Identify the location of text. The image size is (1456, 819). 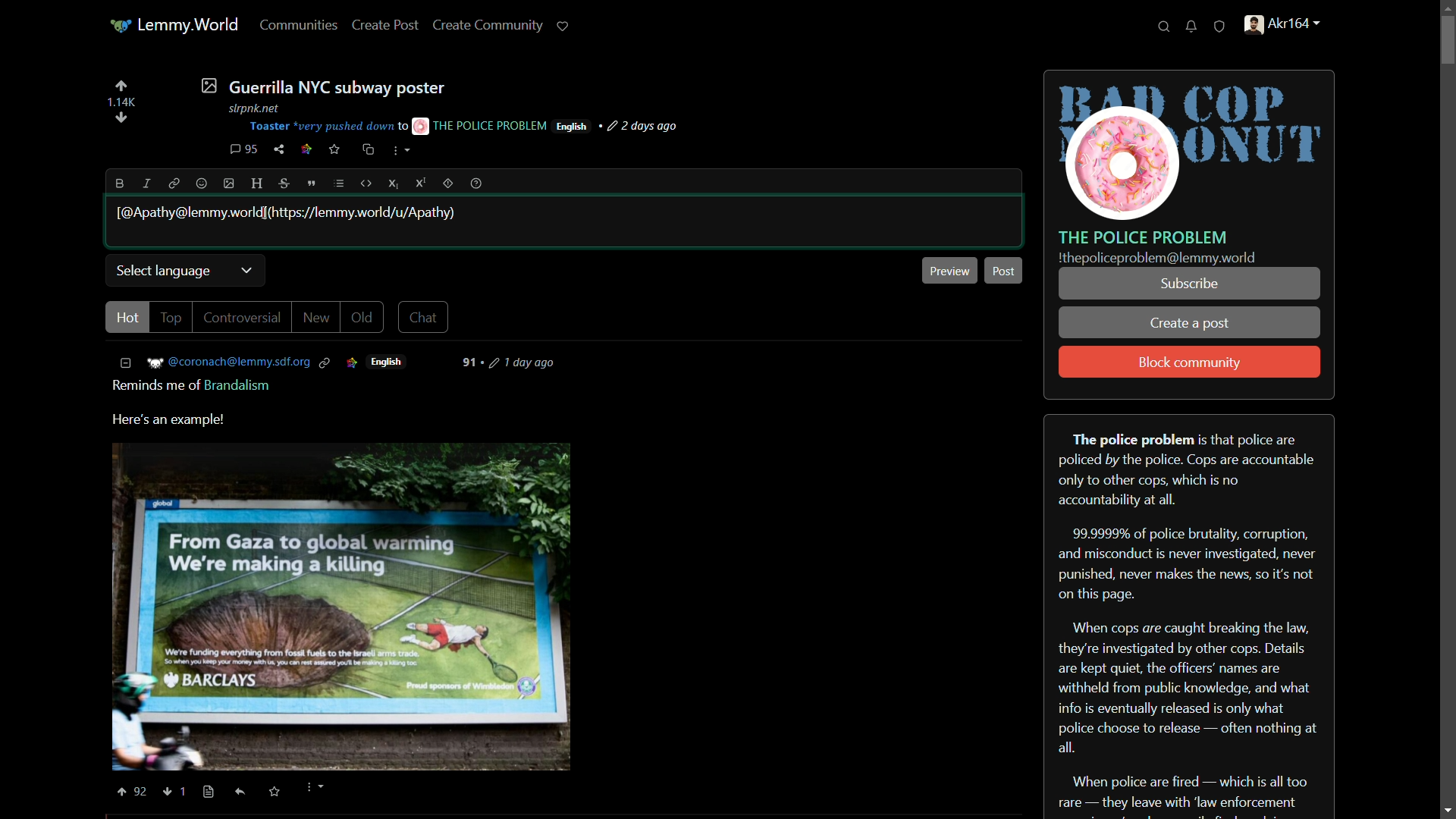
(1157, 259).